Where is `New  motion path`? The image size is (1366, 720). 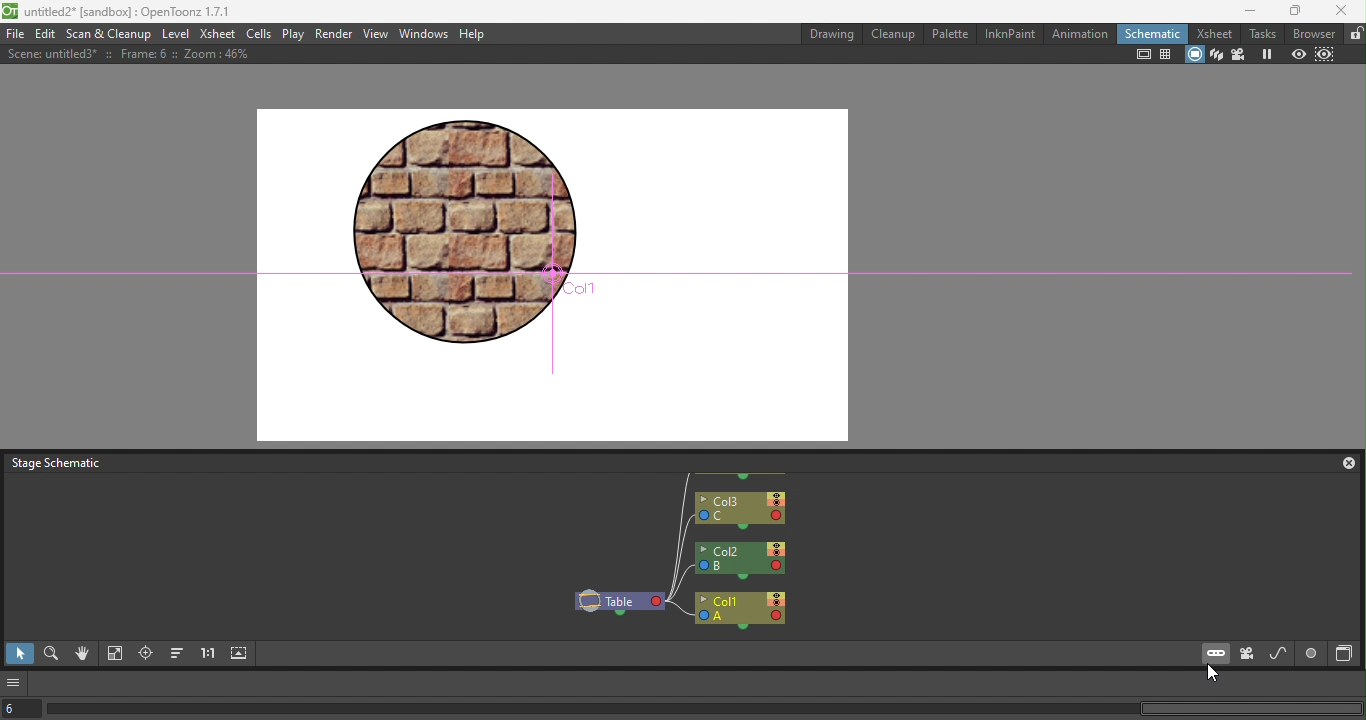
New  motion path is located at coordinates (1279, 654).